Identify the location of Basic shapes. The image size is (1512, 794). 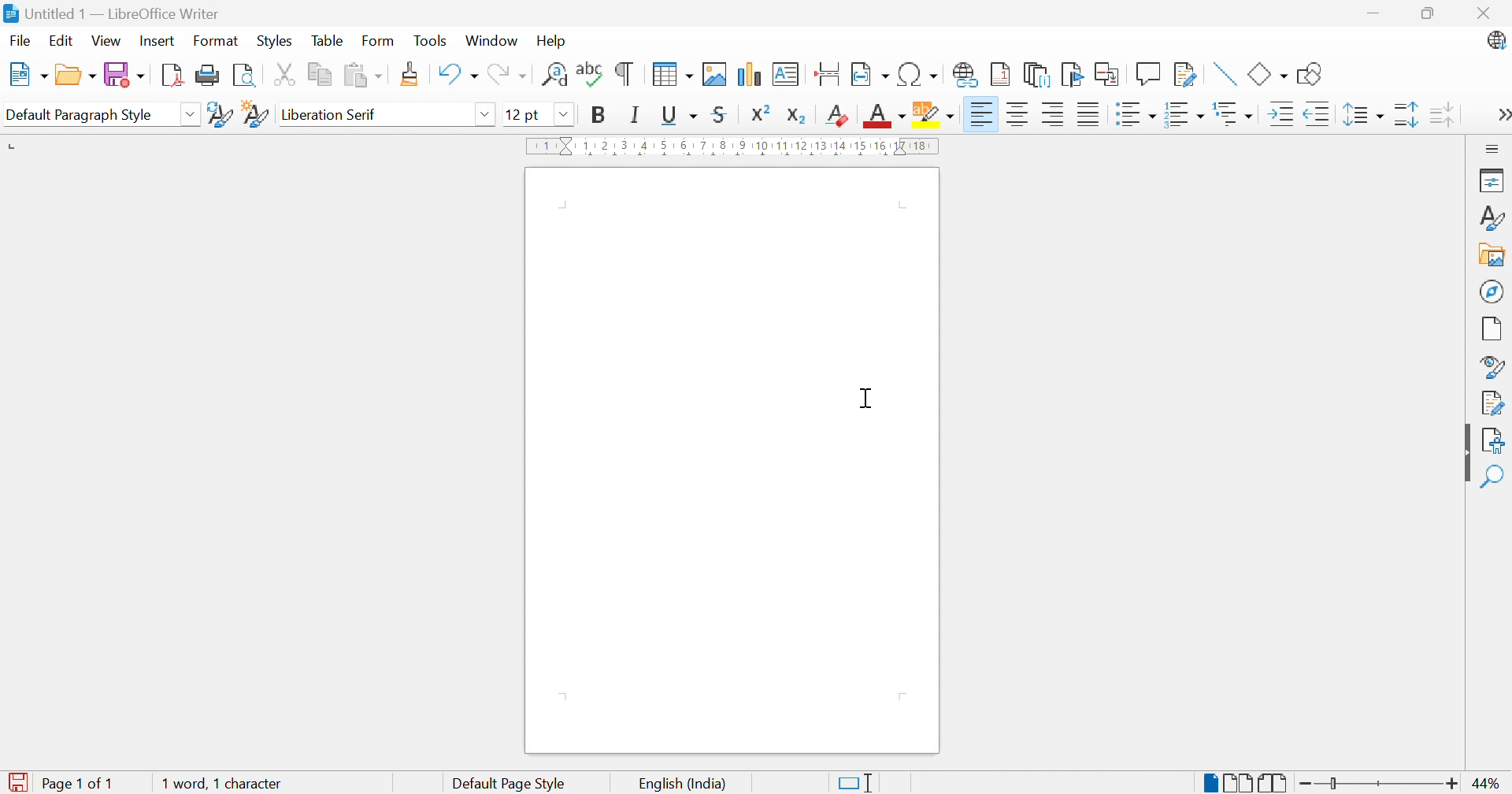
(1269, 75).